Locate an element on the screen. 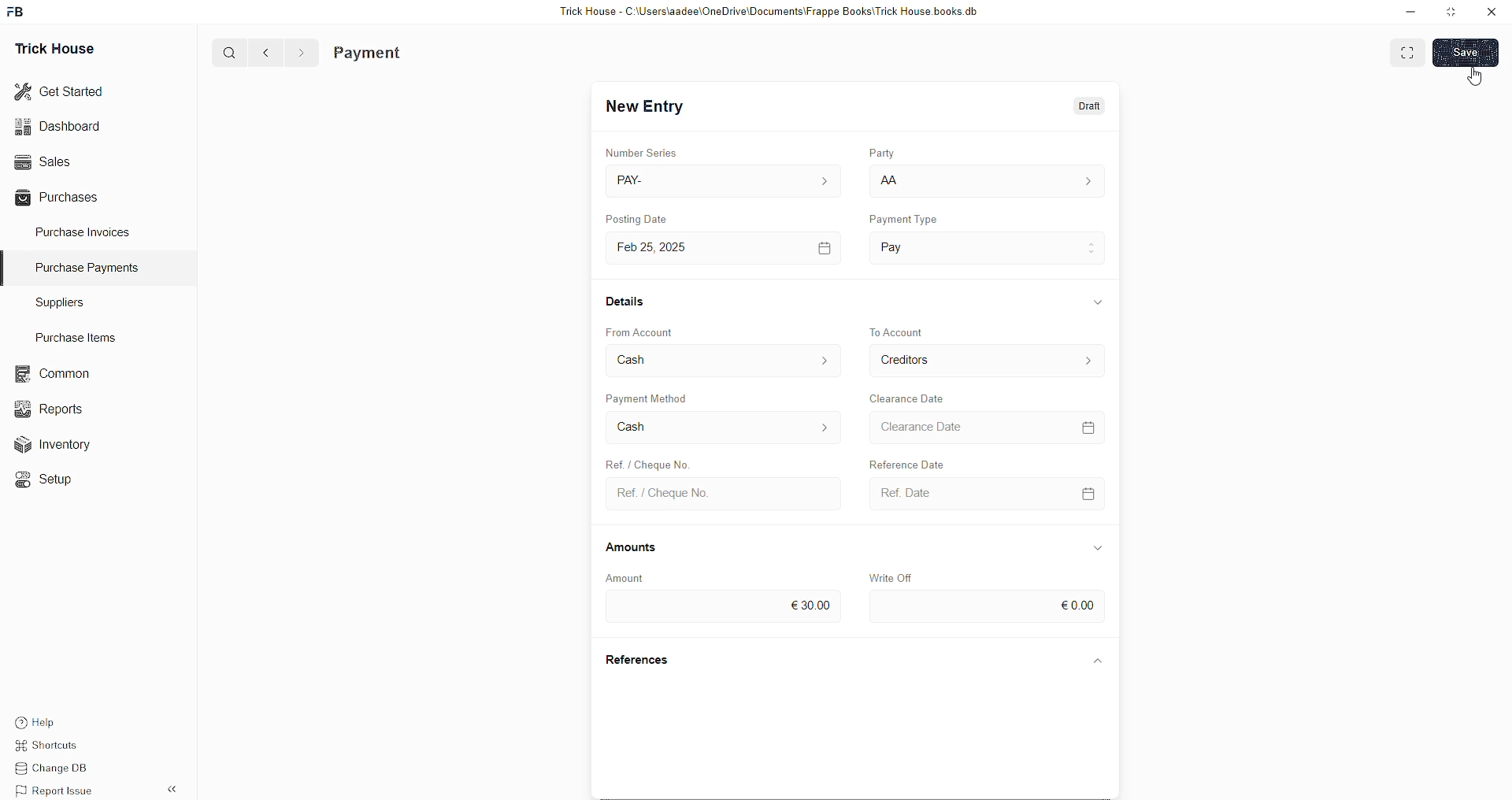 This screenshot has height=800, width=1512. Amount is located at coordinates (642, 576).